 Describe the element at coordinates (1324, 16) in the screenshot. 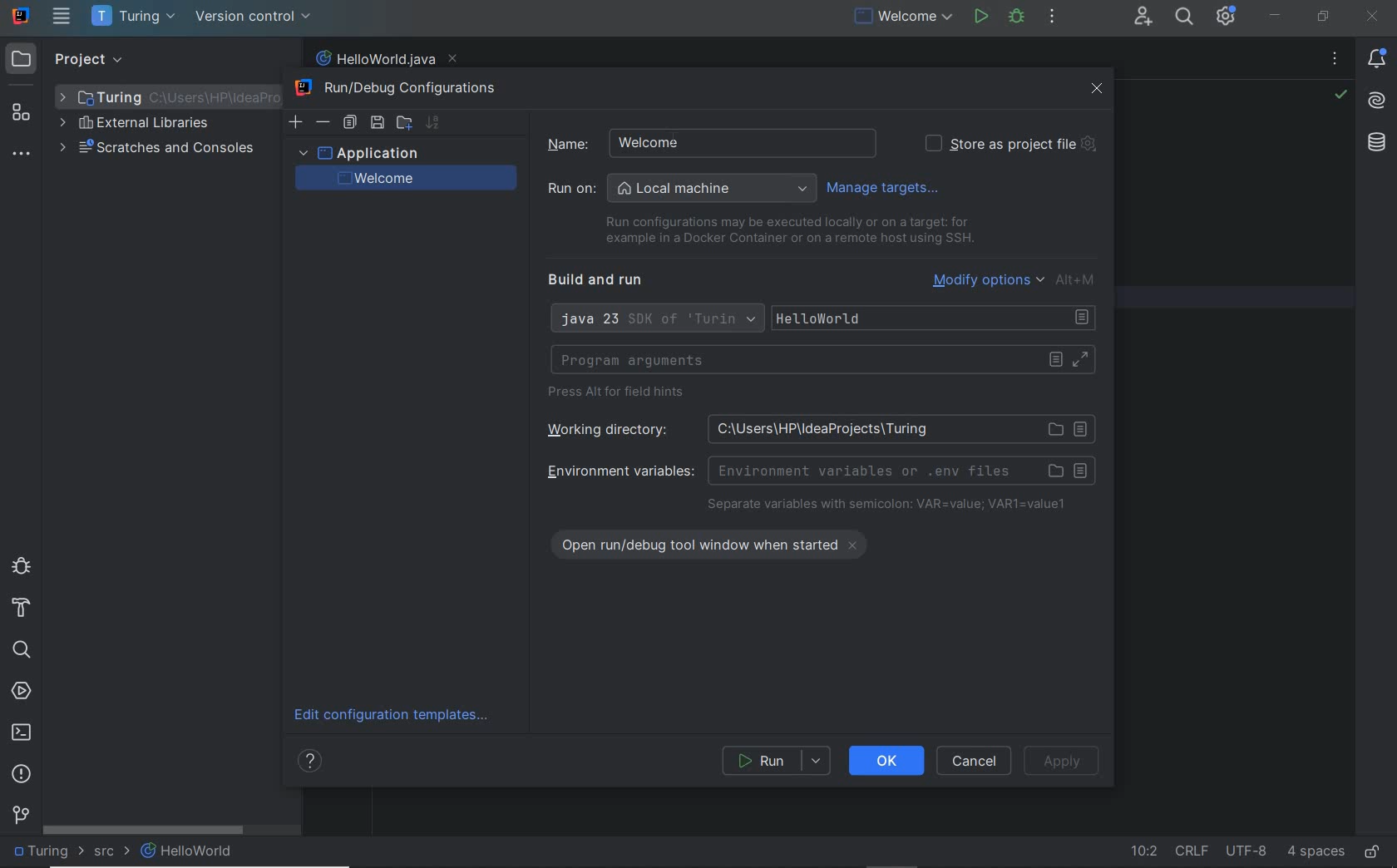

I see `RESTORE DOWN` at that location.